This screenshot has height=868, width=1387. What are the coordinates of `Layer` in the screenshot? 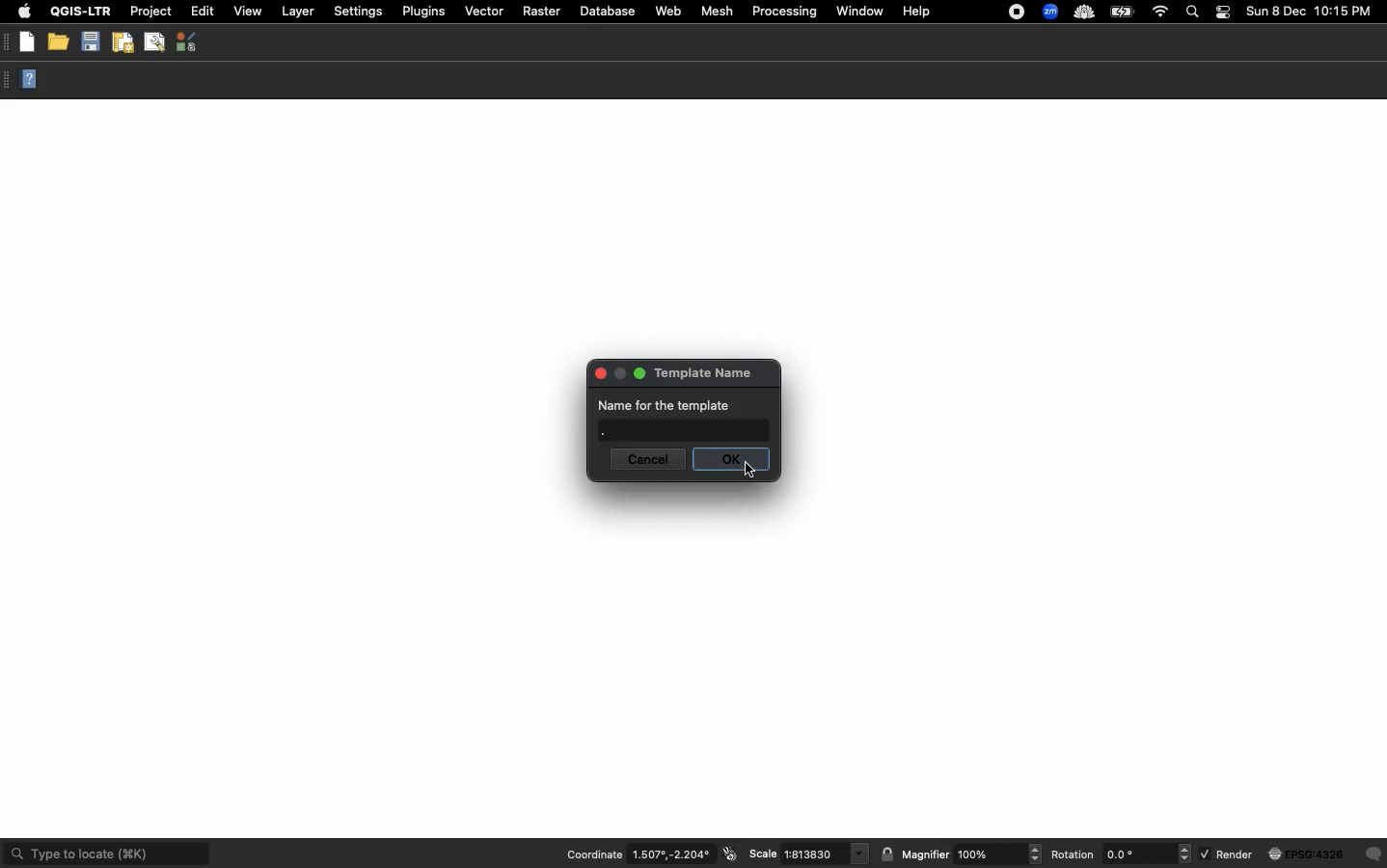 It's located at (297, 12).